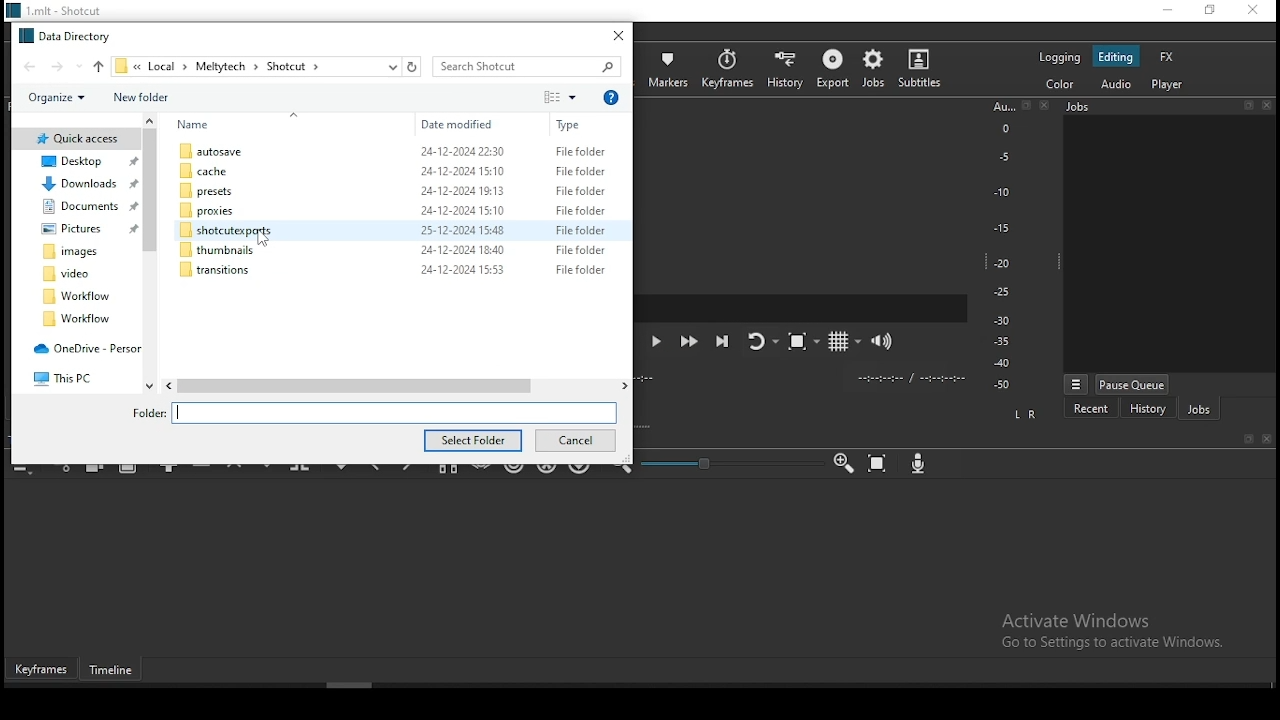  Describe the element at coordinates (83, 350) in the screenshot. I see `One Drive` at that location.